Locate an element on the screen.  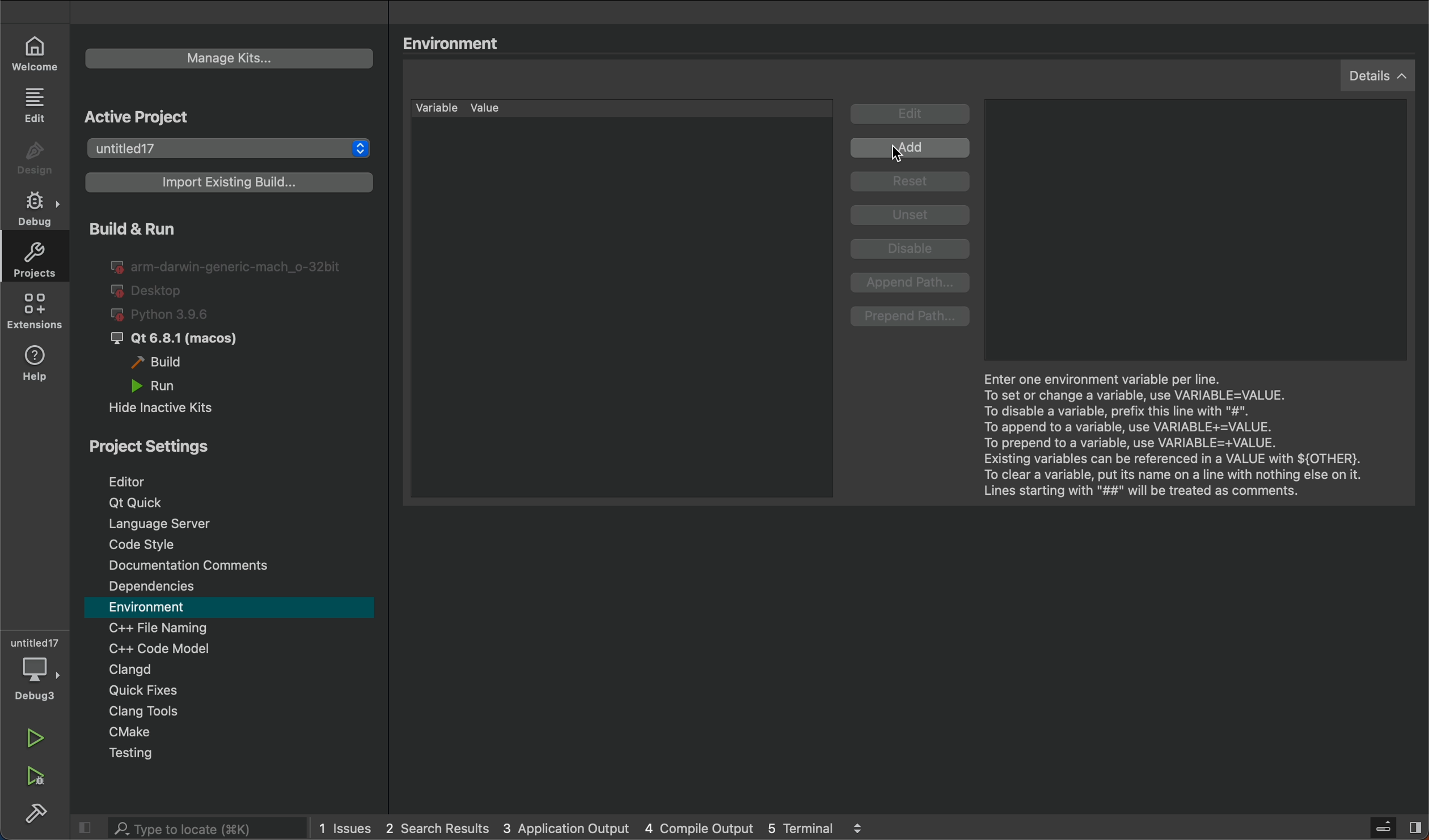
Cursor is located at coordinates (901, 154).